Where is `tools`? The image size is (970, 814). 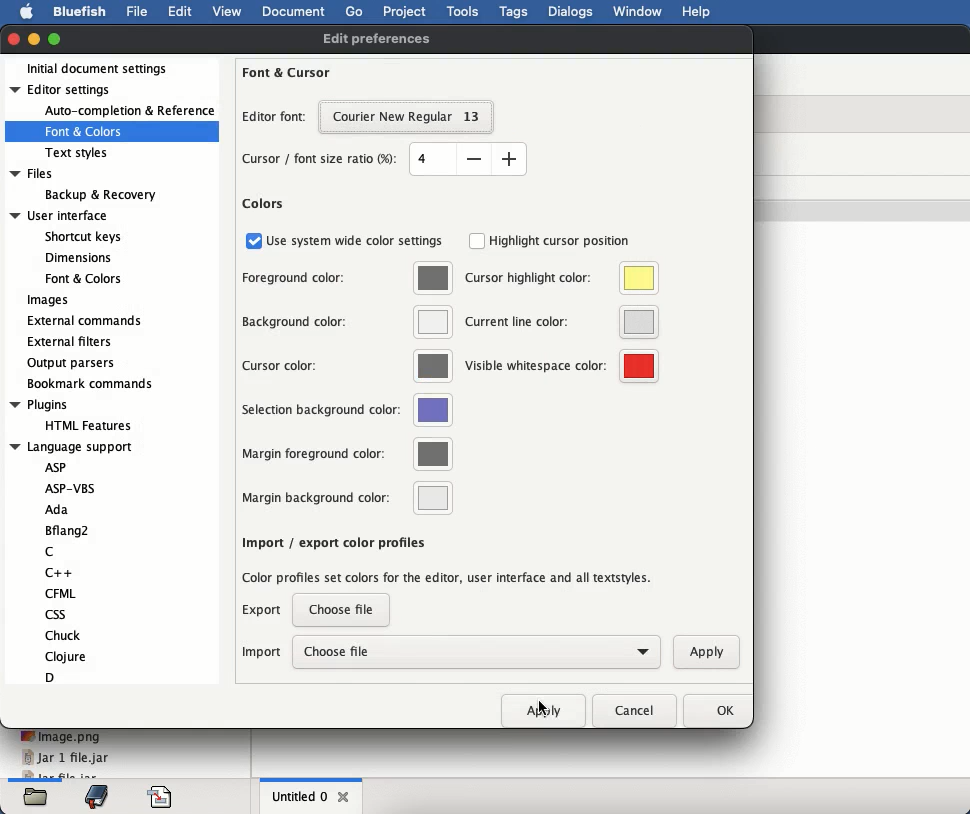 tools is located at coordinates (464, 12).